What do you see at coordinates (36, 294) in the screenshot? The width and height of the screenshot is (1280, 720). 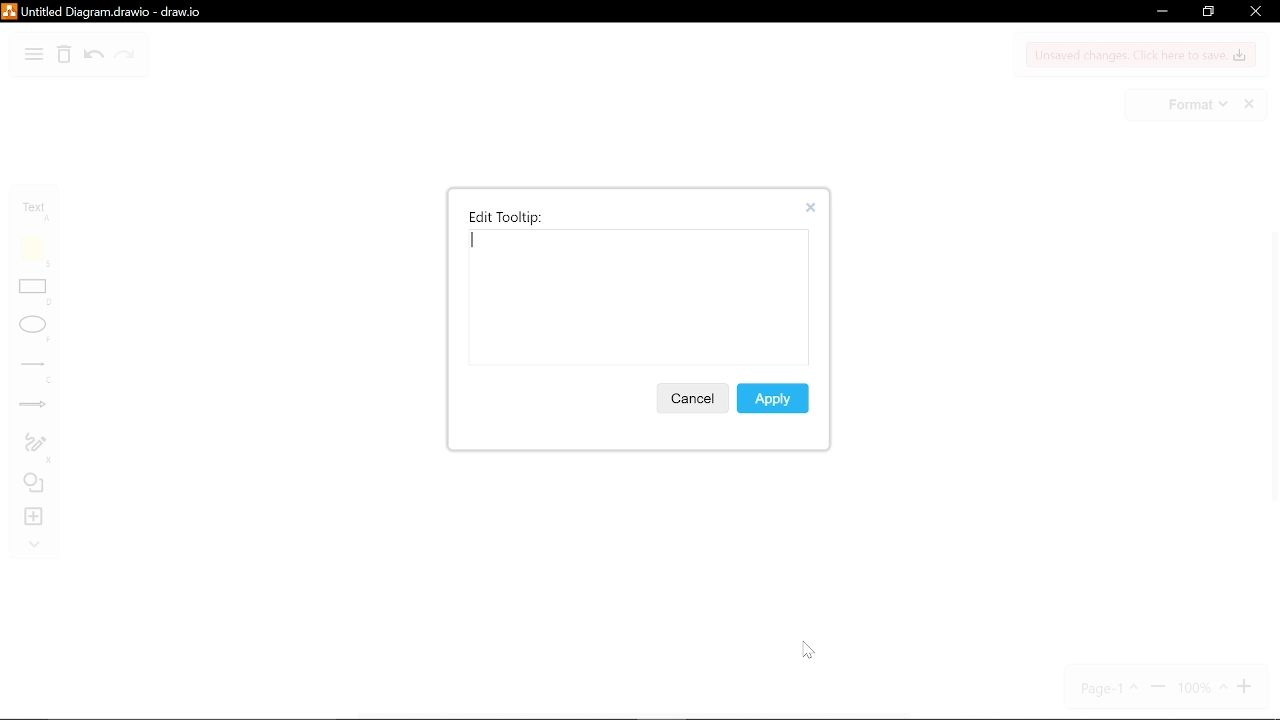 I see `rectangle` at bounding box center [36, 294].